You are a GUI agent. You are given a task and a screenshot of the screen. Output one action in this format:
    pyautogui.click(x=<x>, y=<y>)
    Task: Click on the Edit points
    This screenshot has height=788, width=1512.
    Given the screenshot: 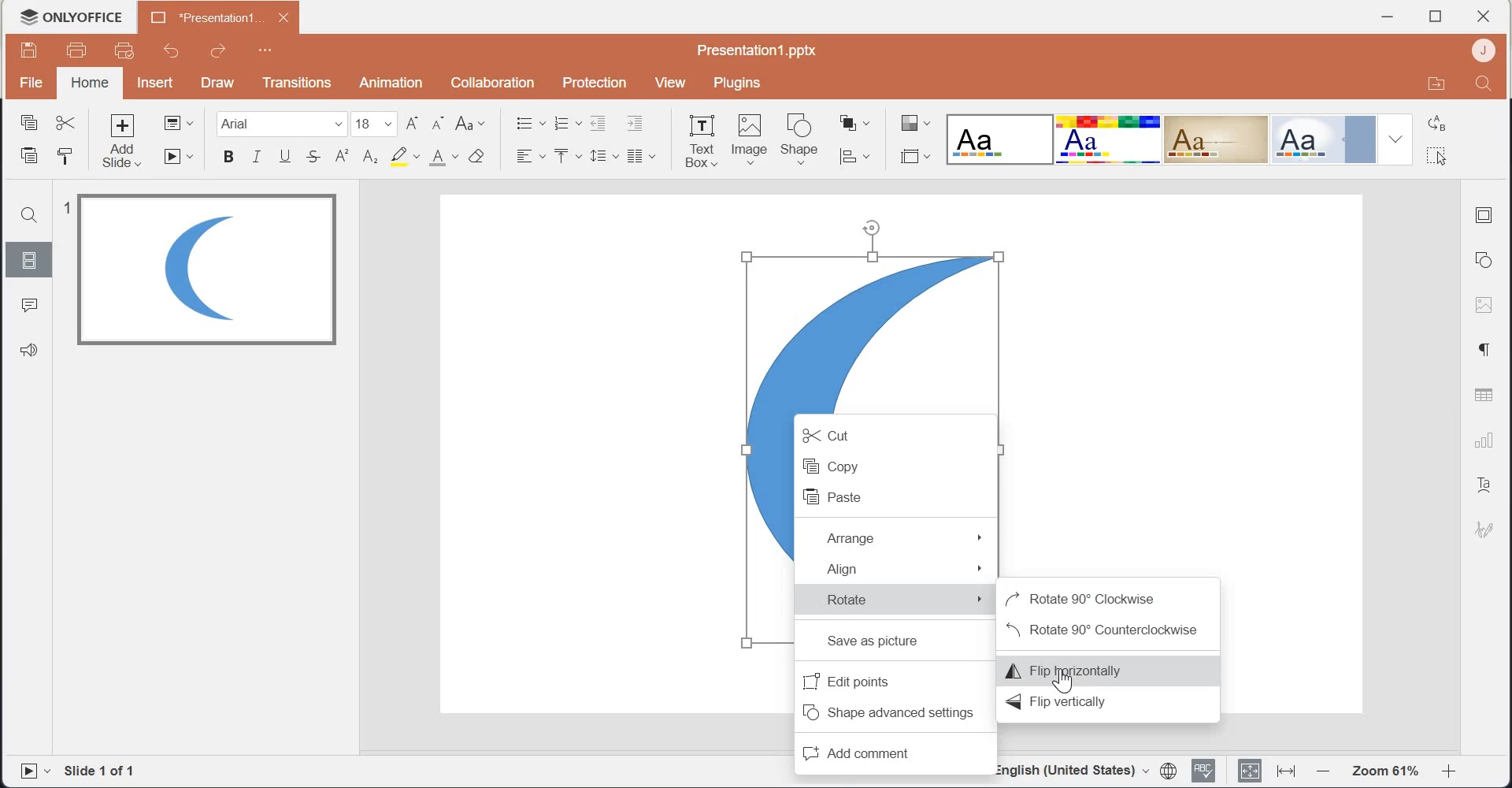 What is the action you would take?
    pyautogui.click(x=891, y=681)
    